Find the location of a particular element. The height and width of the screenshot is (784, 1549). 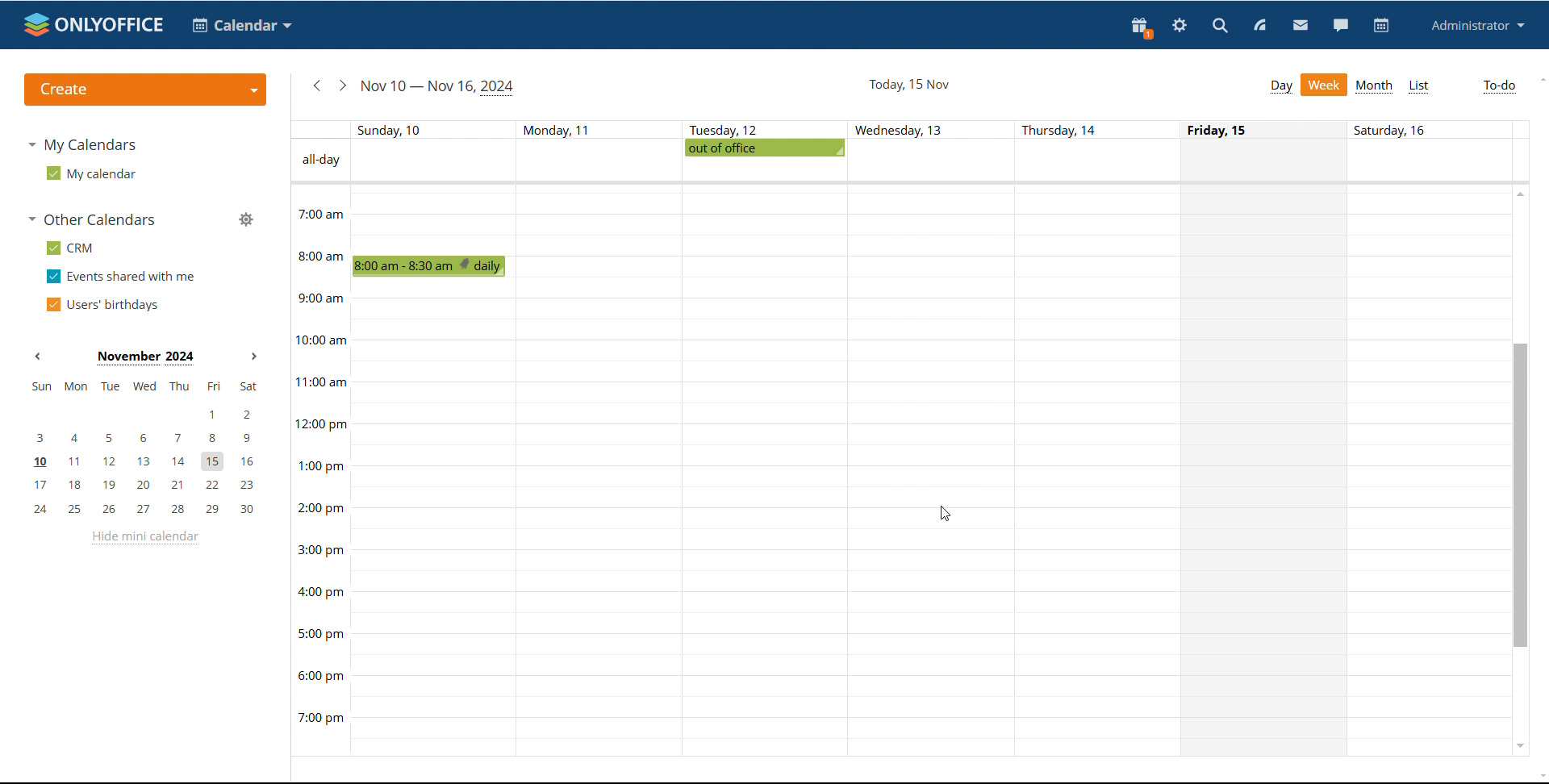

create is located at coordinates (144, 90).